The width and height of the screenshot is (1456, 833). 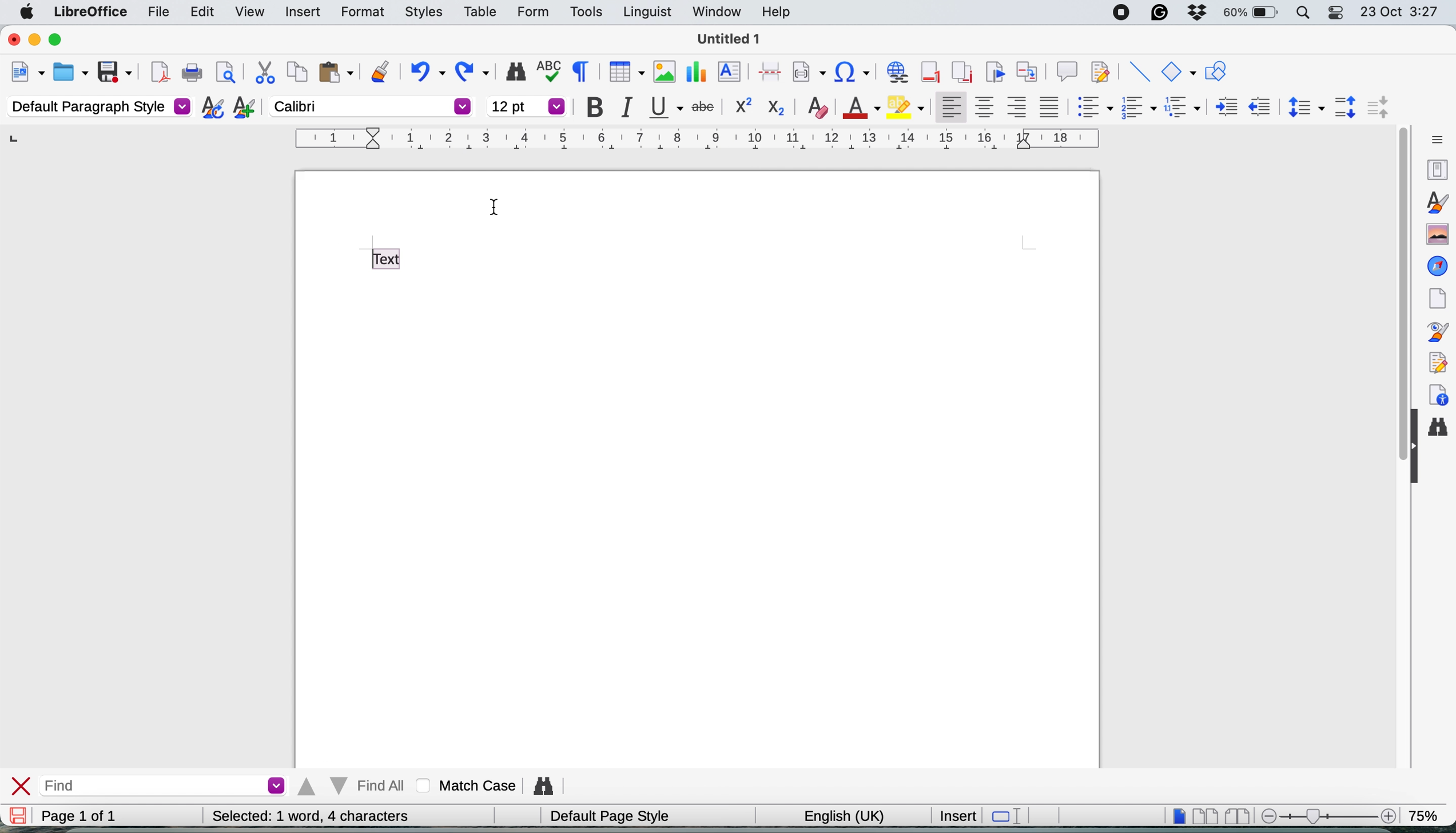 What do you see at coordinates (356, 10) in the screenshot?
I see `format` at bounding box center [356, 10].